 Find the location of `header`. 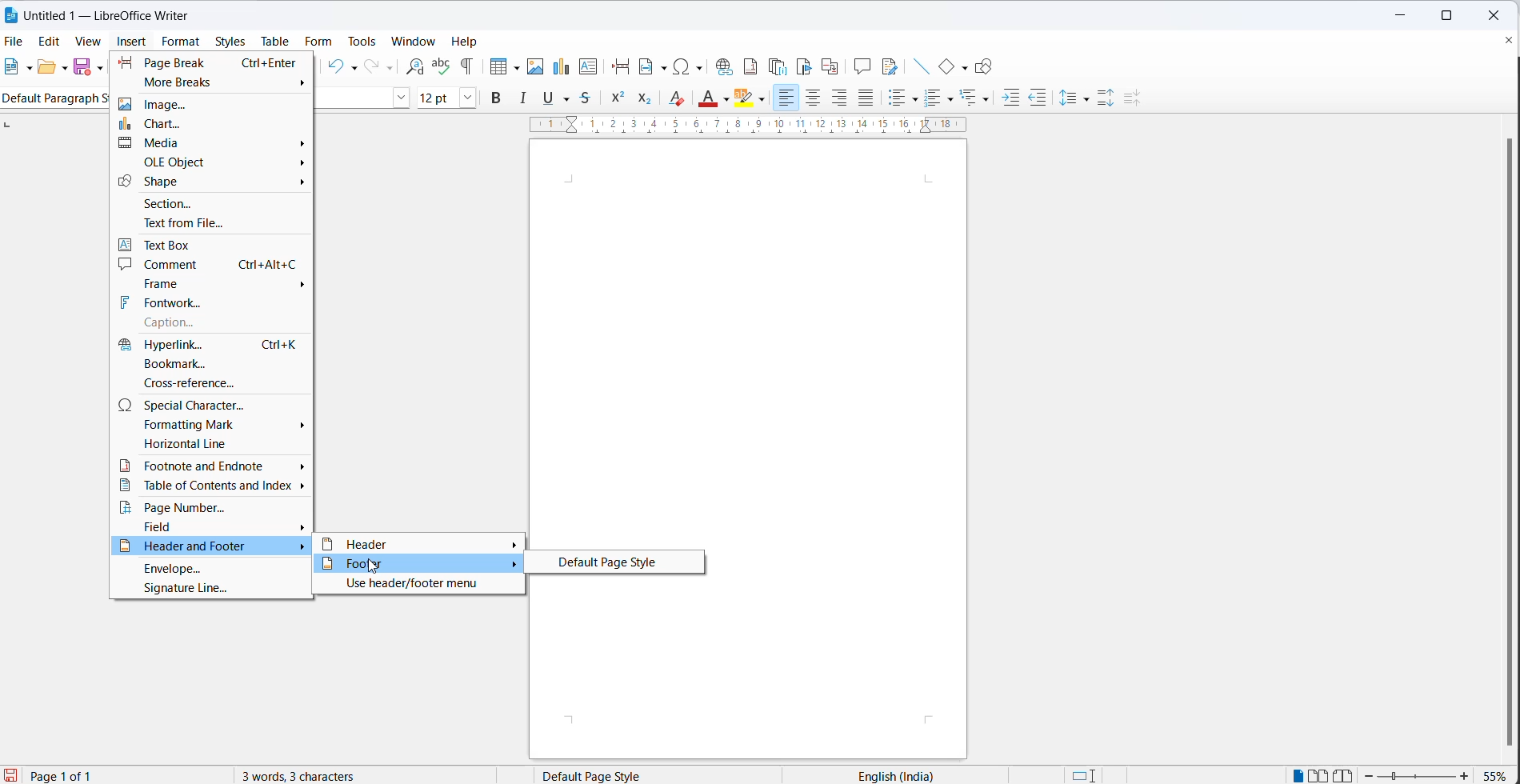

header is located at coordinates (422, 543).